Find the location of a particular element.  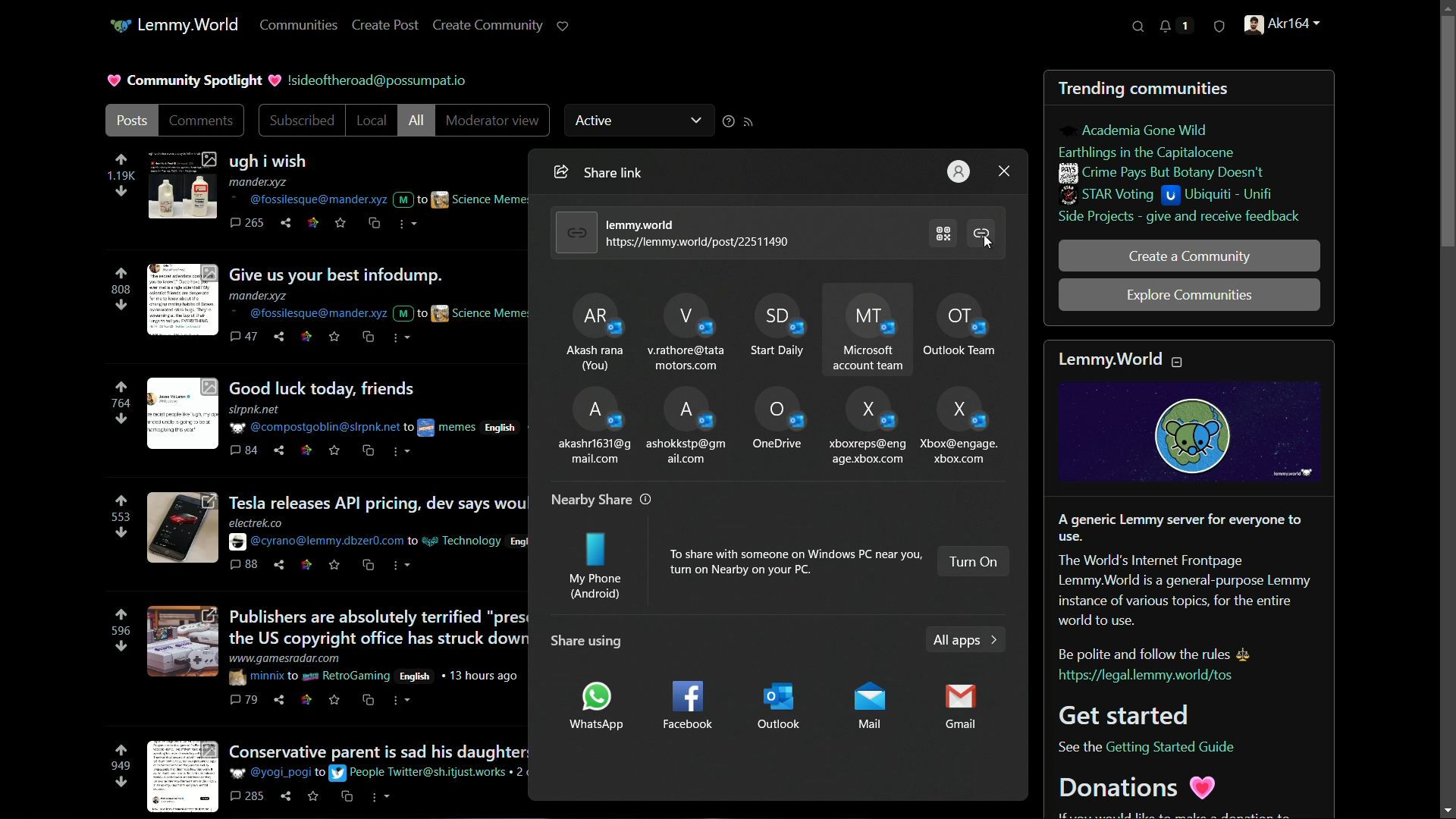

ashokkstp@gmail.com is located at coordinates (689, 426).